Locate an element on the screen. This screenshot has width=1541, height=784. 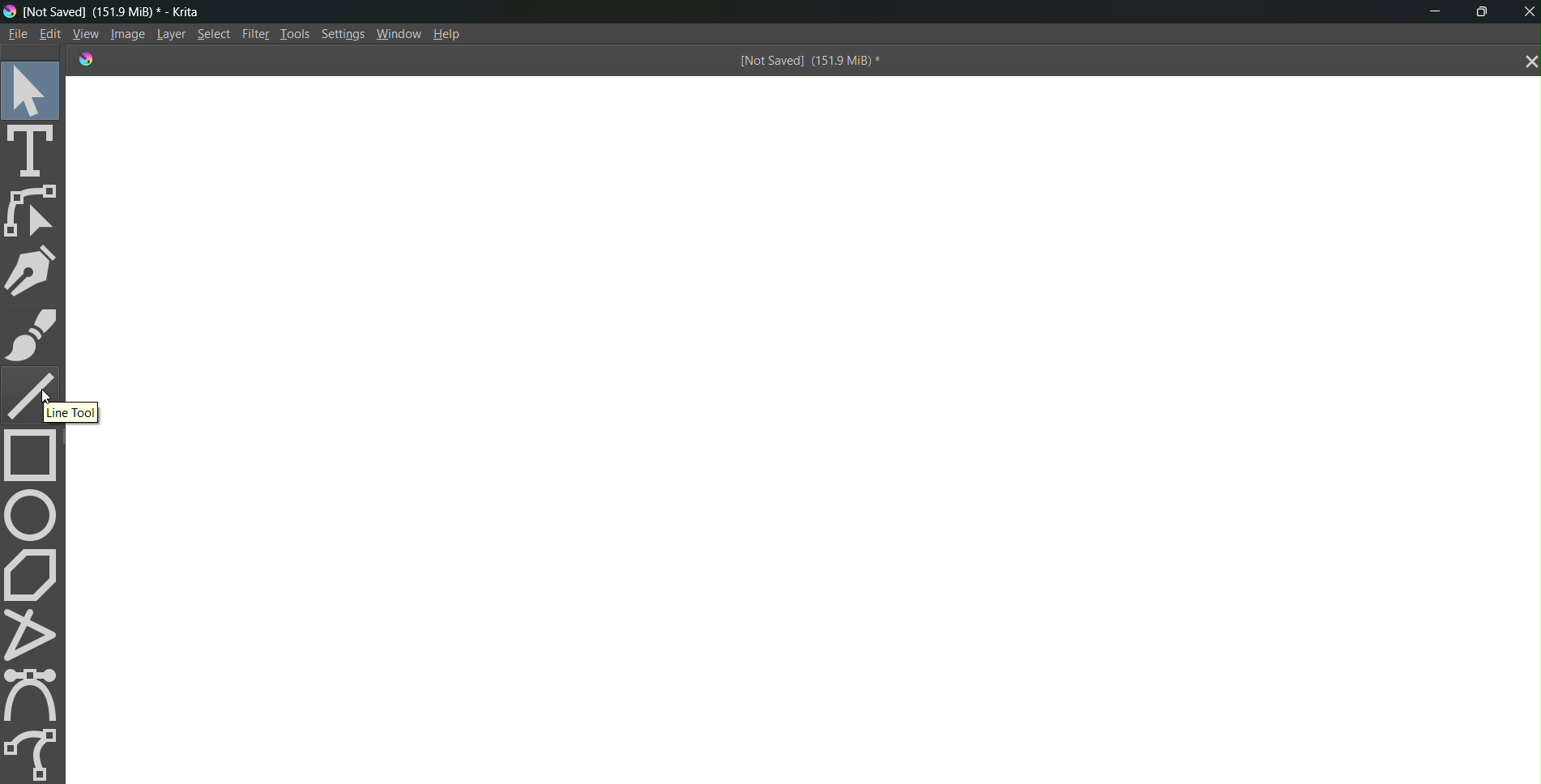
cursor is located at coordinates (53, 396).